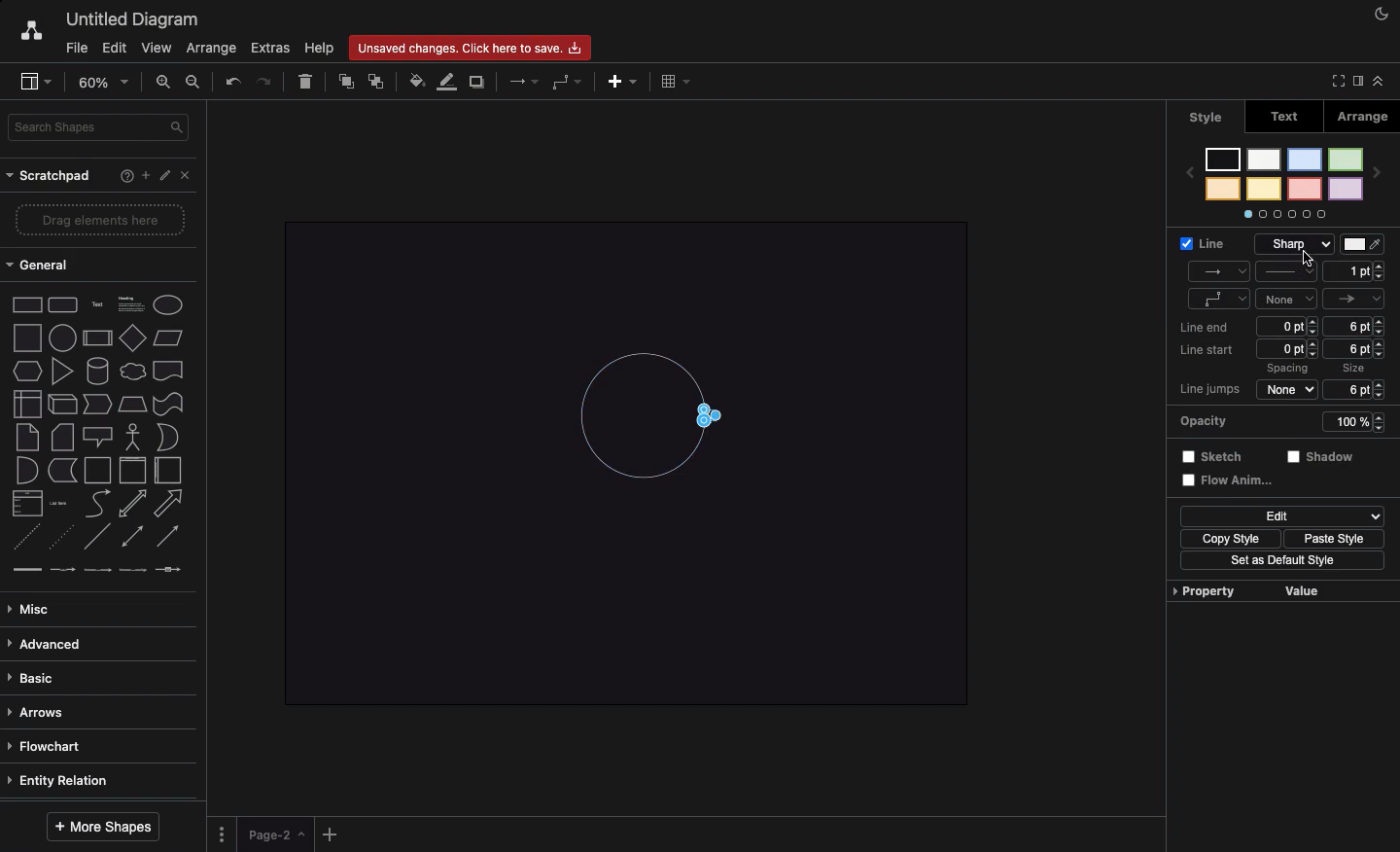 The image size is (1400, 852). What do you see at coordinates (1284, 422) in the screenshot?
I see `Opacity ` at bounding box center [1284, 422].